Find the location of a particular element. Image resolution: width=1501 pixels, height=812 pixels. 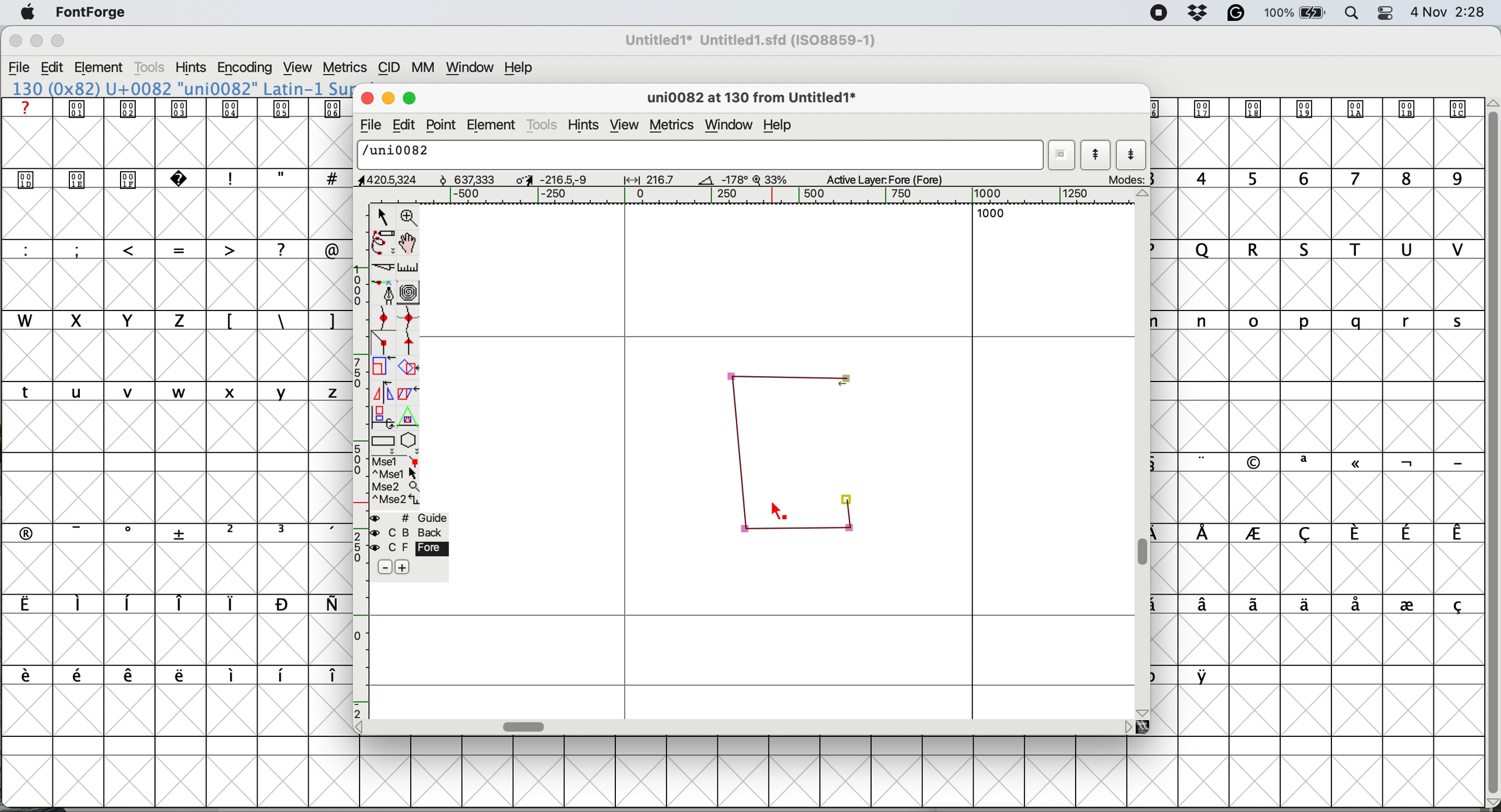

selector is located at coordinates (382, 218).